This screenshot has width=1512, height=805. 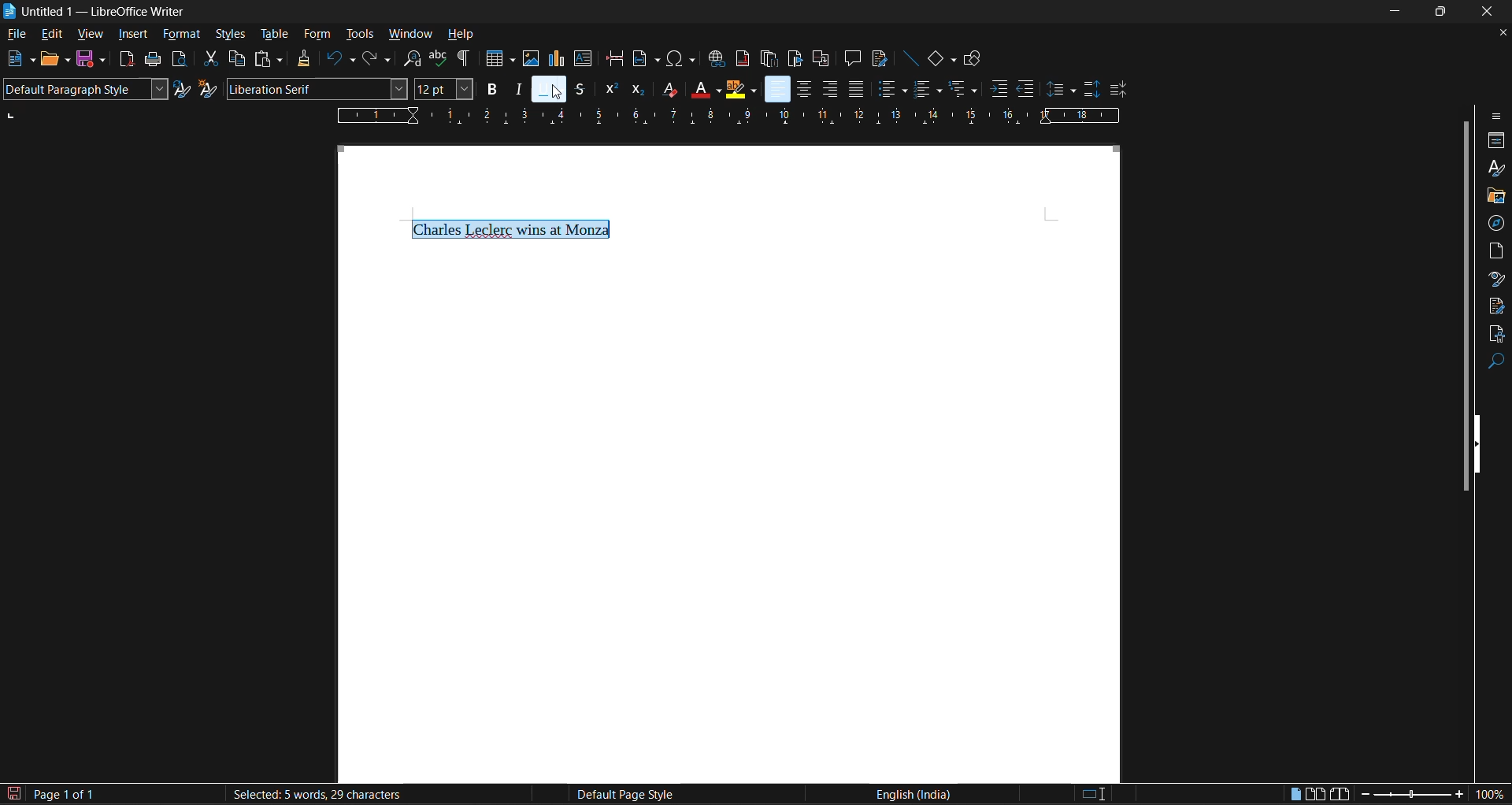 I want to click on zoom slider, so click(x=1410, y=796).